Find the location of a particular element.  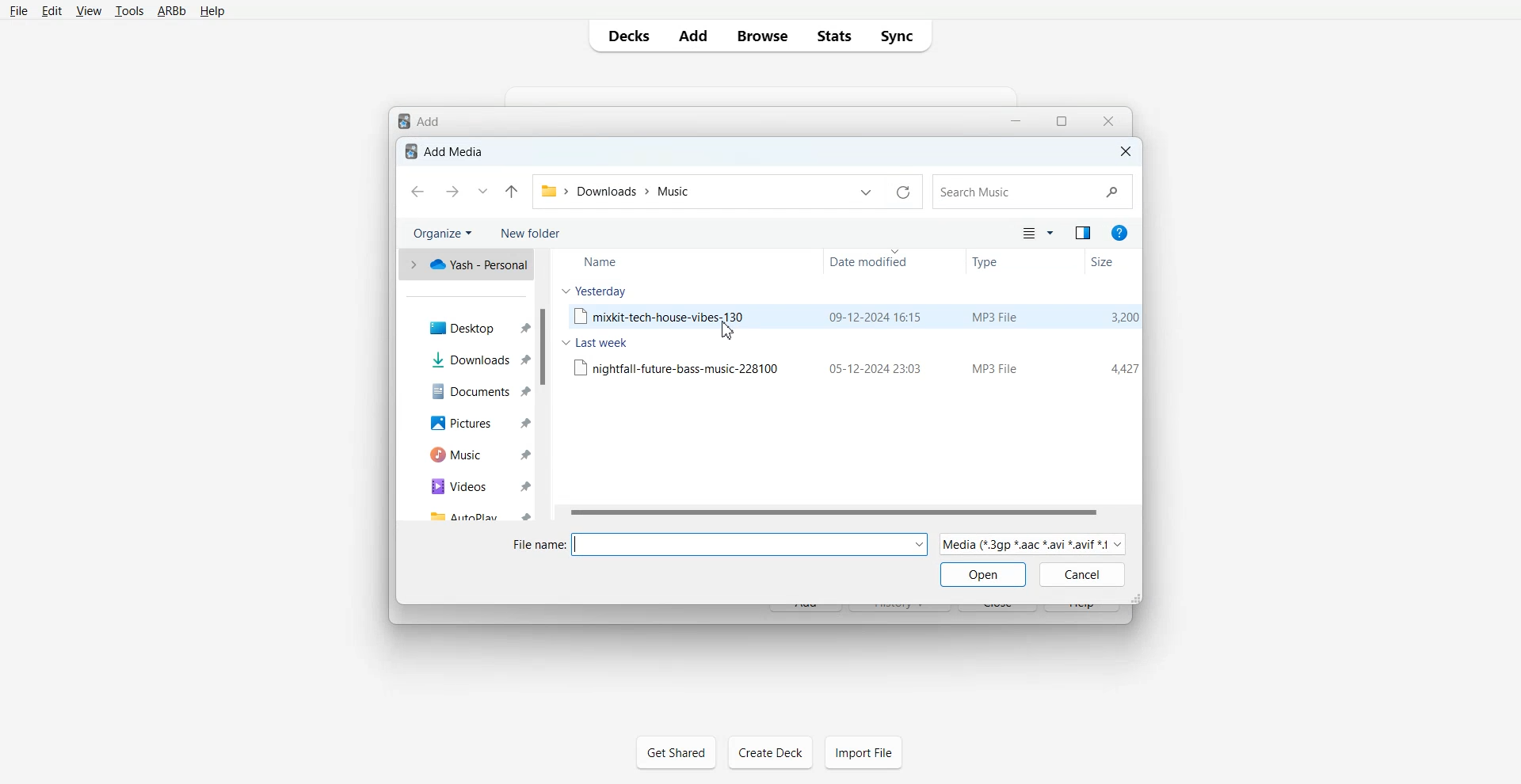

Sync is located at coordinates (901, 36).